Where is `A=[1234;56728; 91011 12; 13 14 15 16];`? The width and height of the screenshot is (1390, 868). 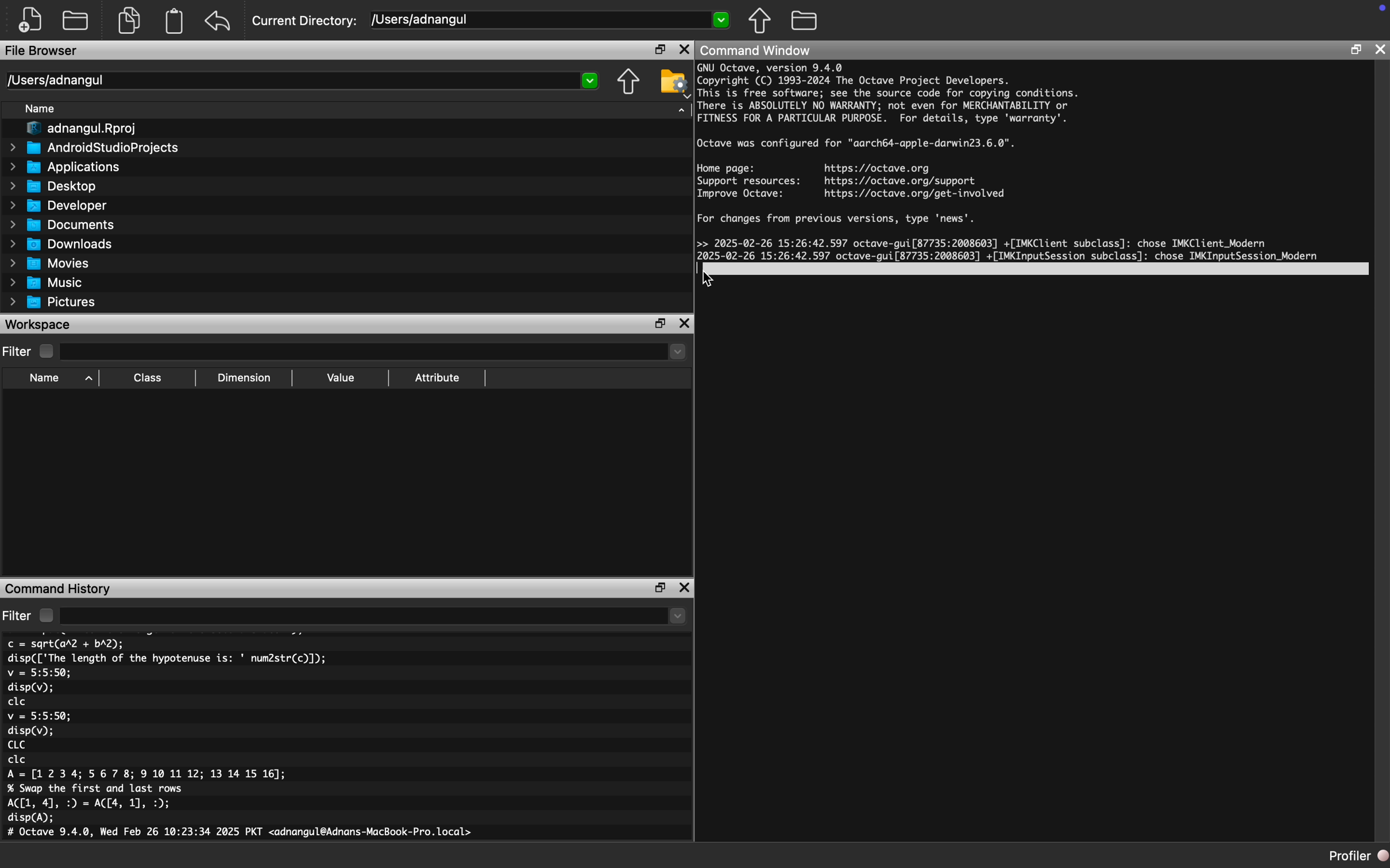
A=[1234;56728; 91011 12; 13 14 15 16]; is located at coordinates (151, 775).